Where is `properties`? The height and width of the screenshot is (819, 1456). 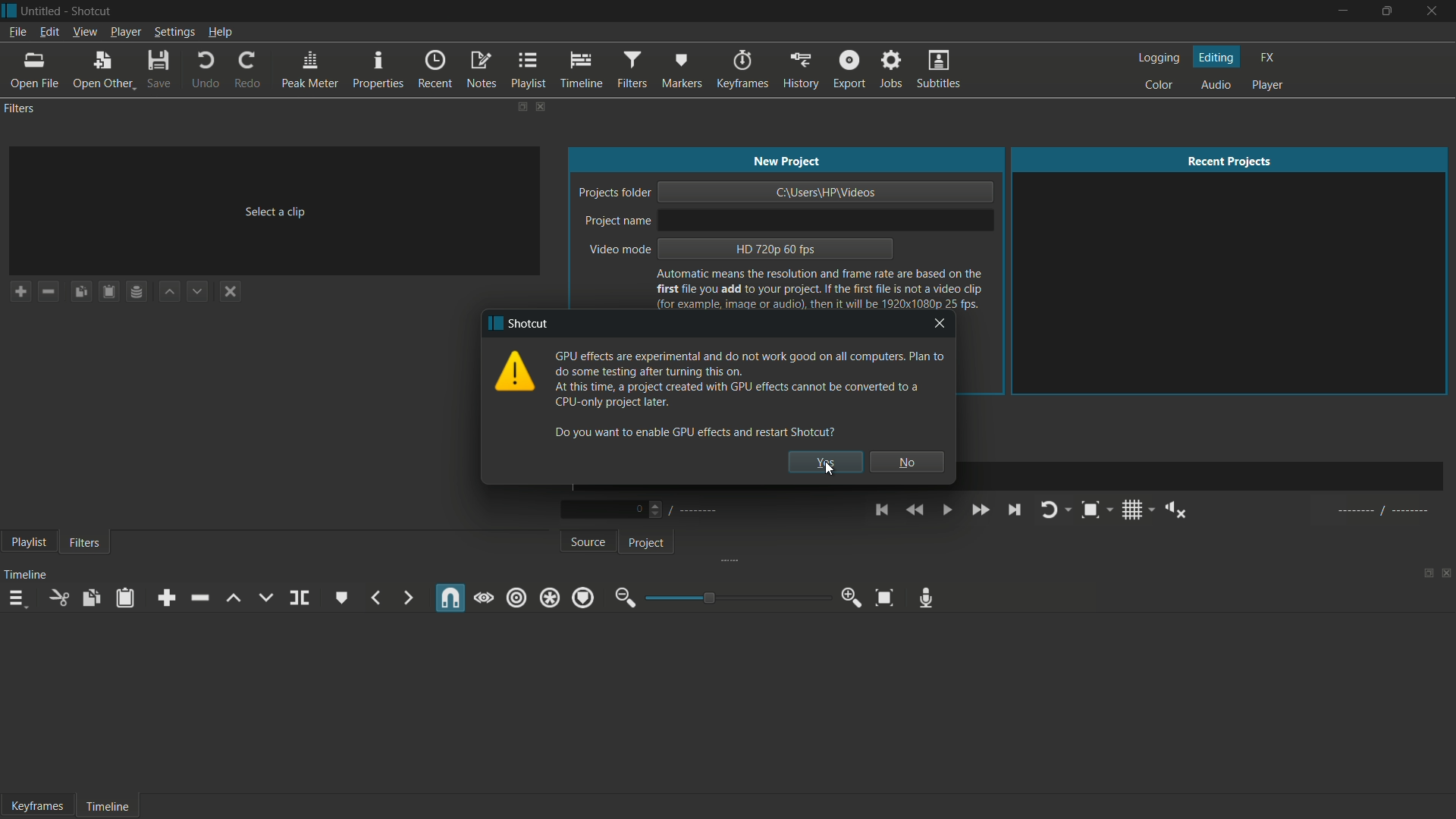
properties is located at coordinates (379, 71).